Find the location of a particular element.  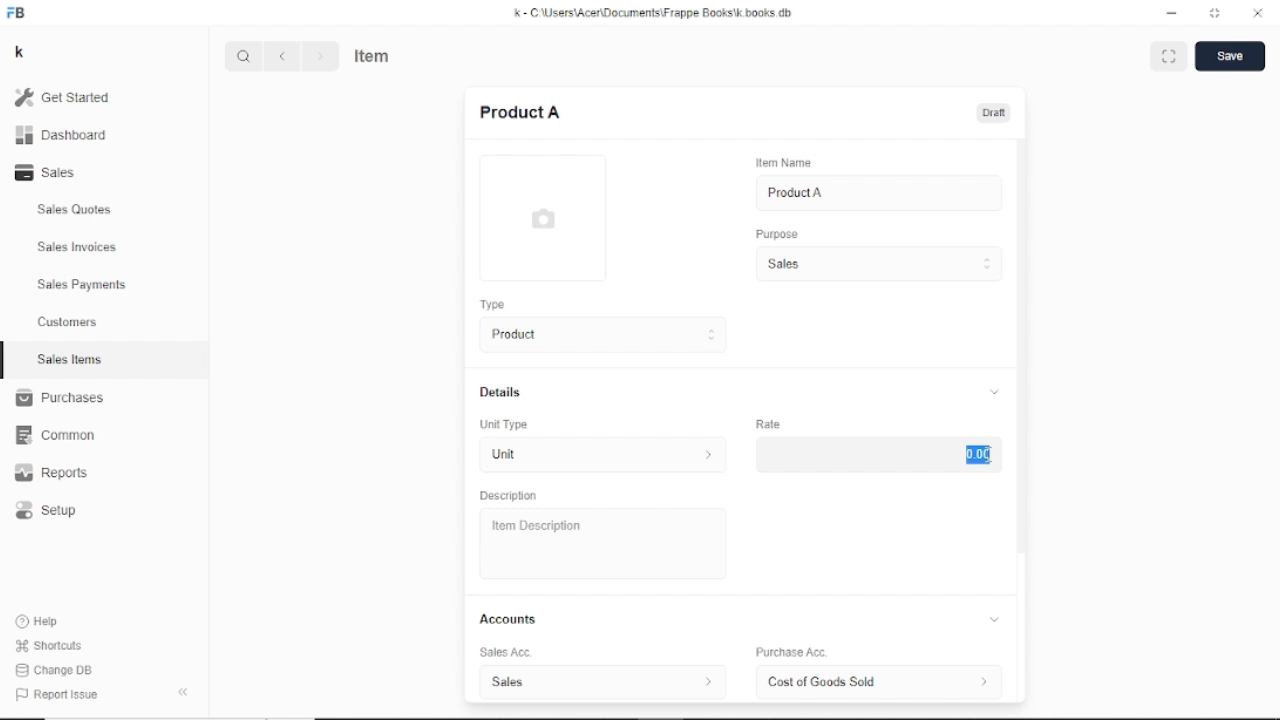

Change DB is located at coordinates (57, 671).